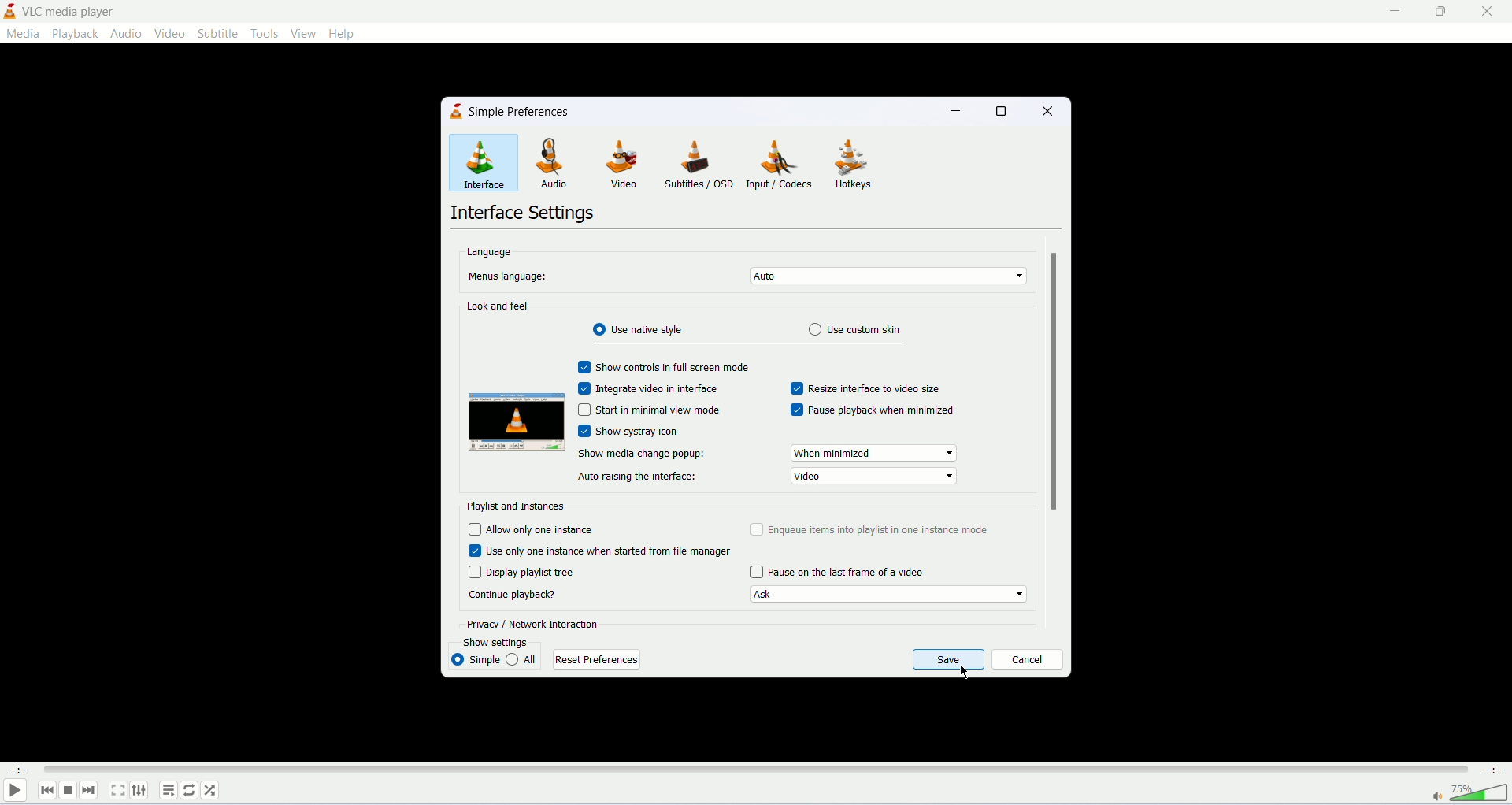 This screenshot has width=1512, height=805. What do you see at coordinates (172, 32) in the screenshot?
I see `video` at bounding box center [172, 32].